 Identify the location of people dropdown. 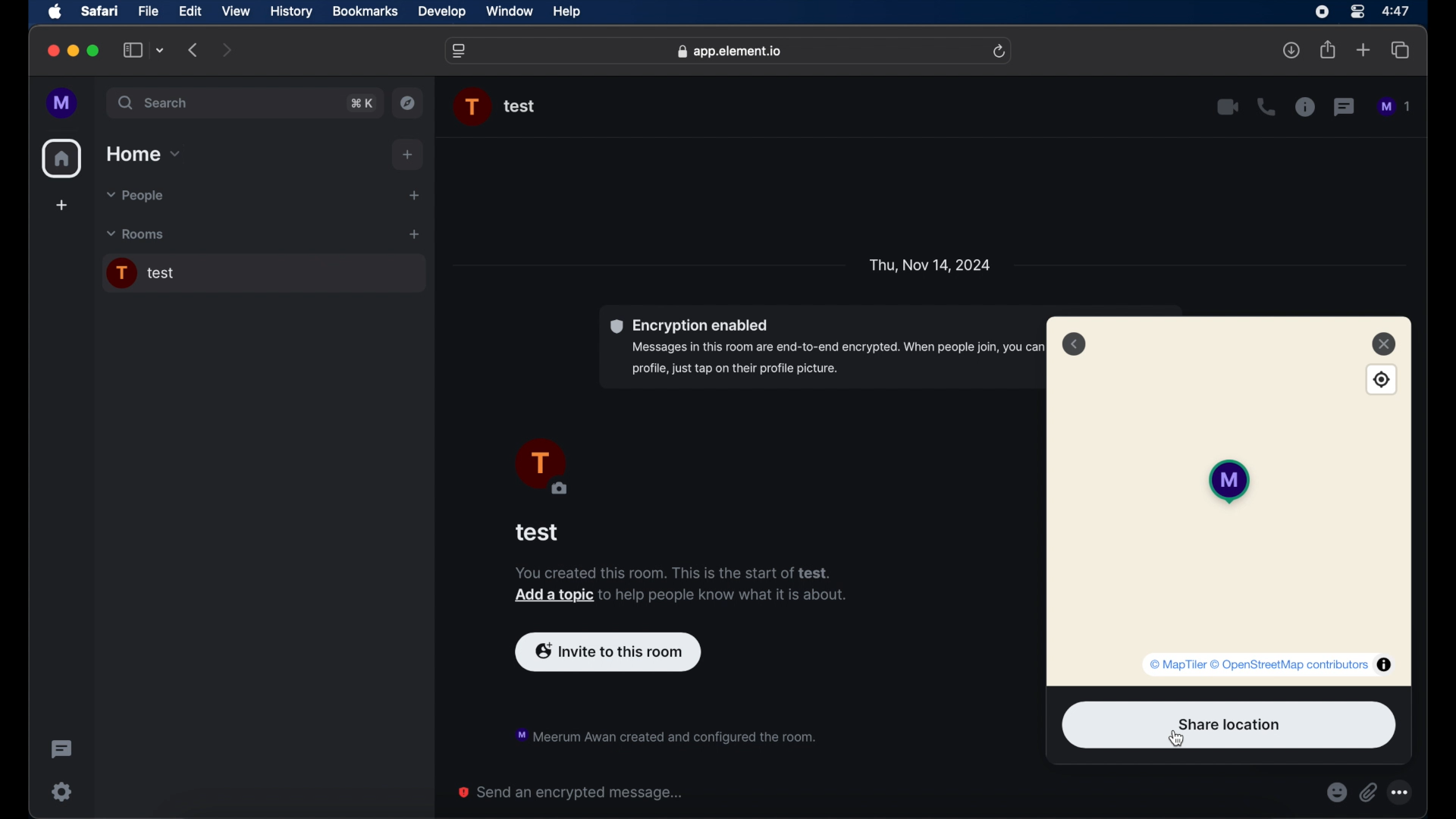
(133, 196).